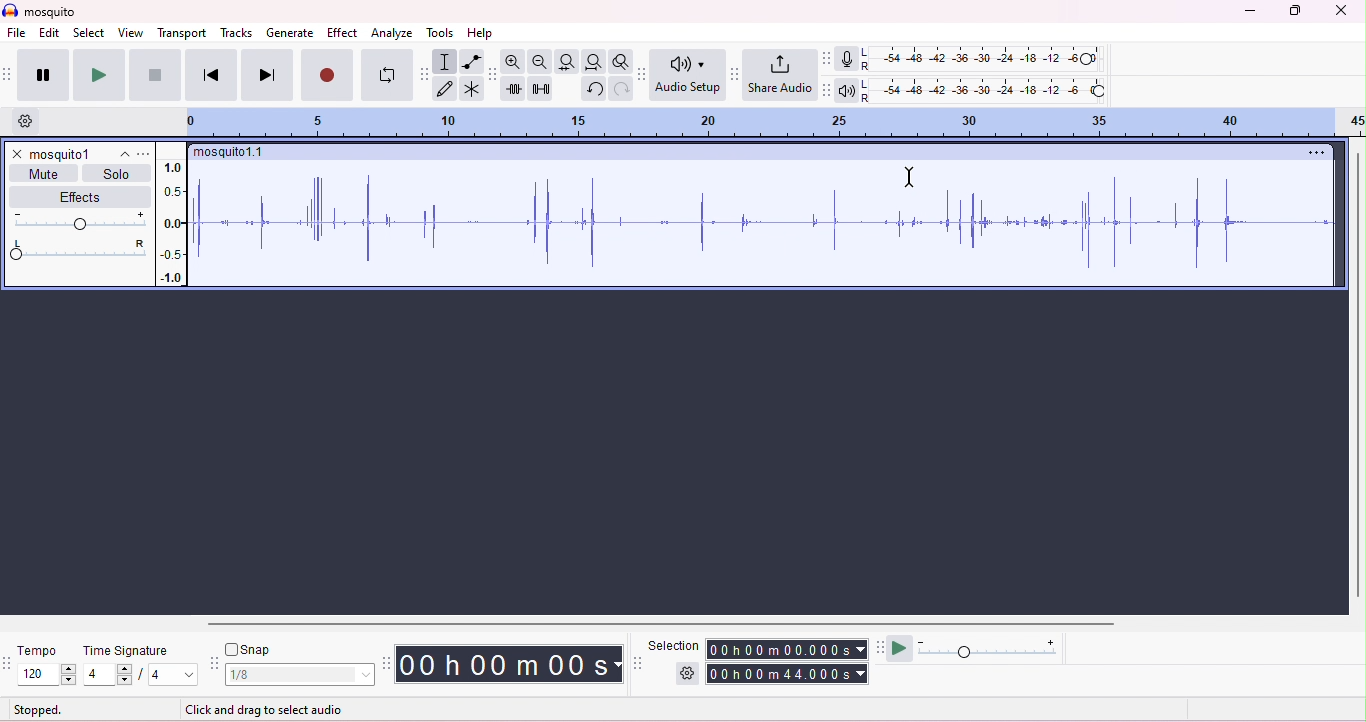  Describe the element at coordinates (846, 92) in the screenshot. I see `playback meter` at that location.